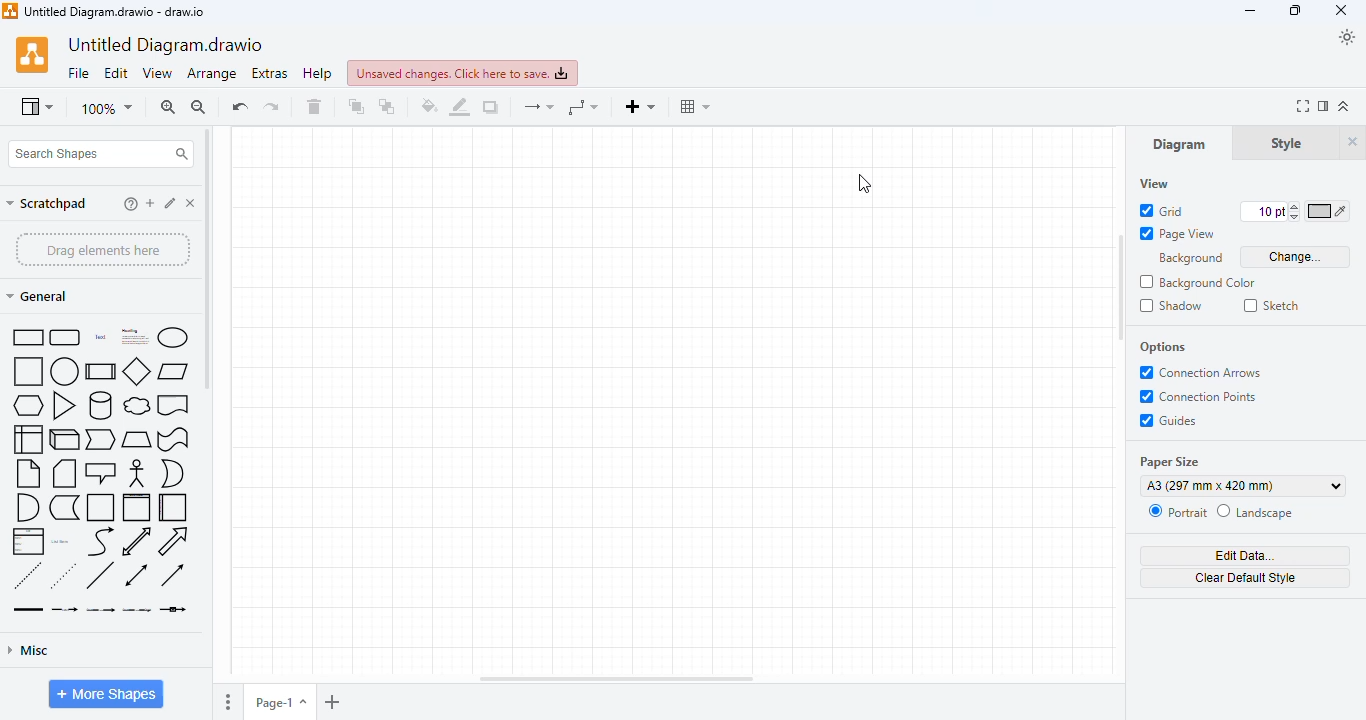  I want to click on style, so click(1286, 144).